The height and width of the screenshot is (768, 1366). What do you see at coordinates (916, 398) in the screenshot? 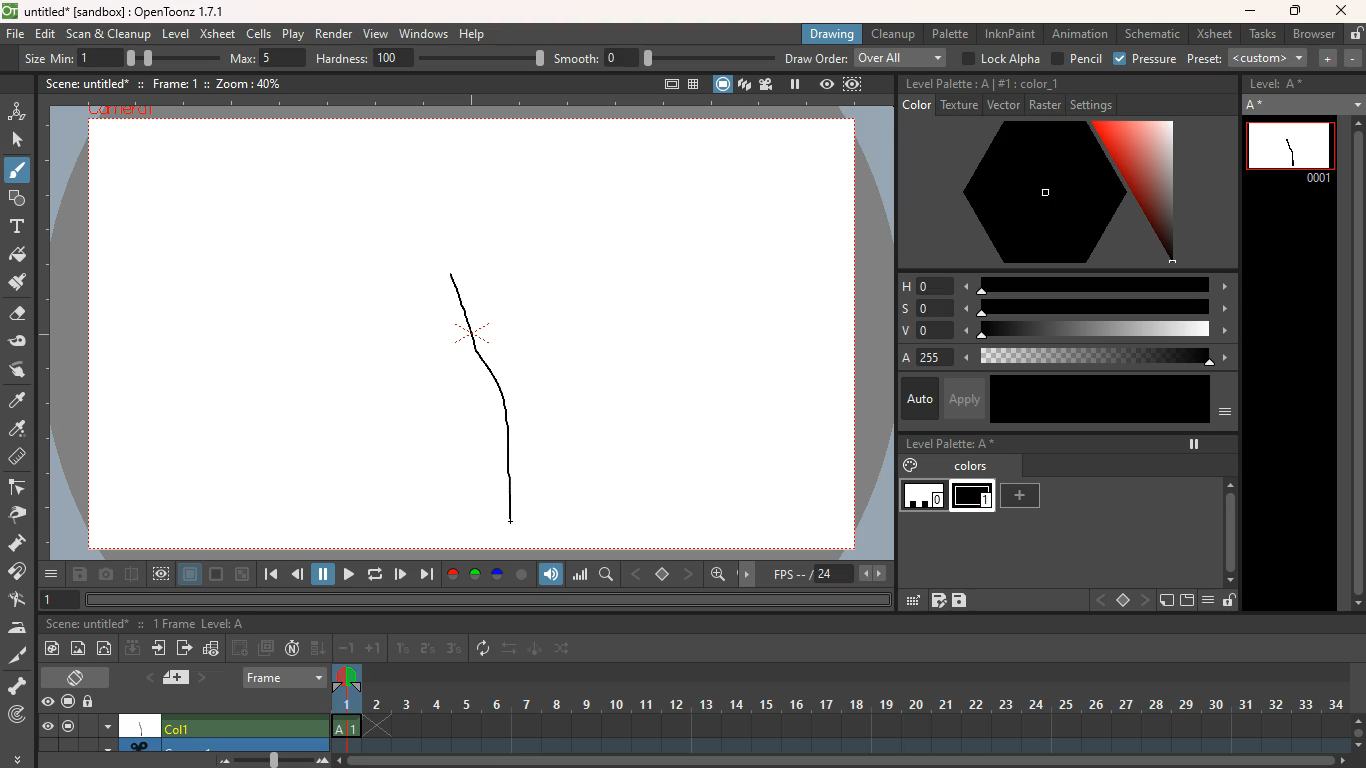
I see `auto` at bounding box center [916, 398].